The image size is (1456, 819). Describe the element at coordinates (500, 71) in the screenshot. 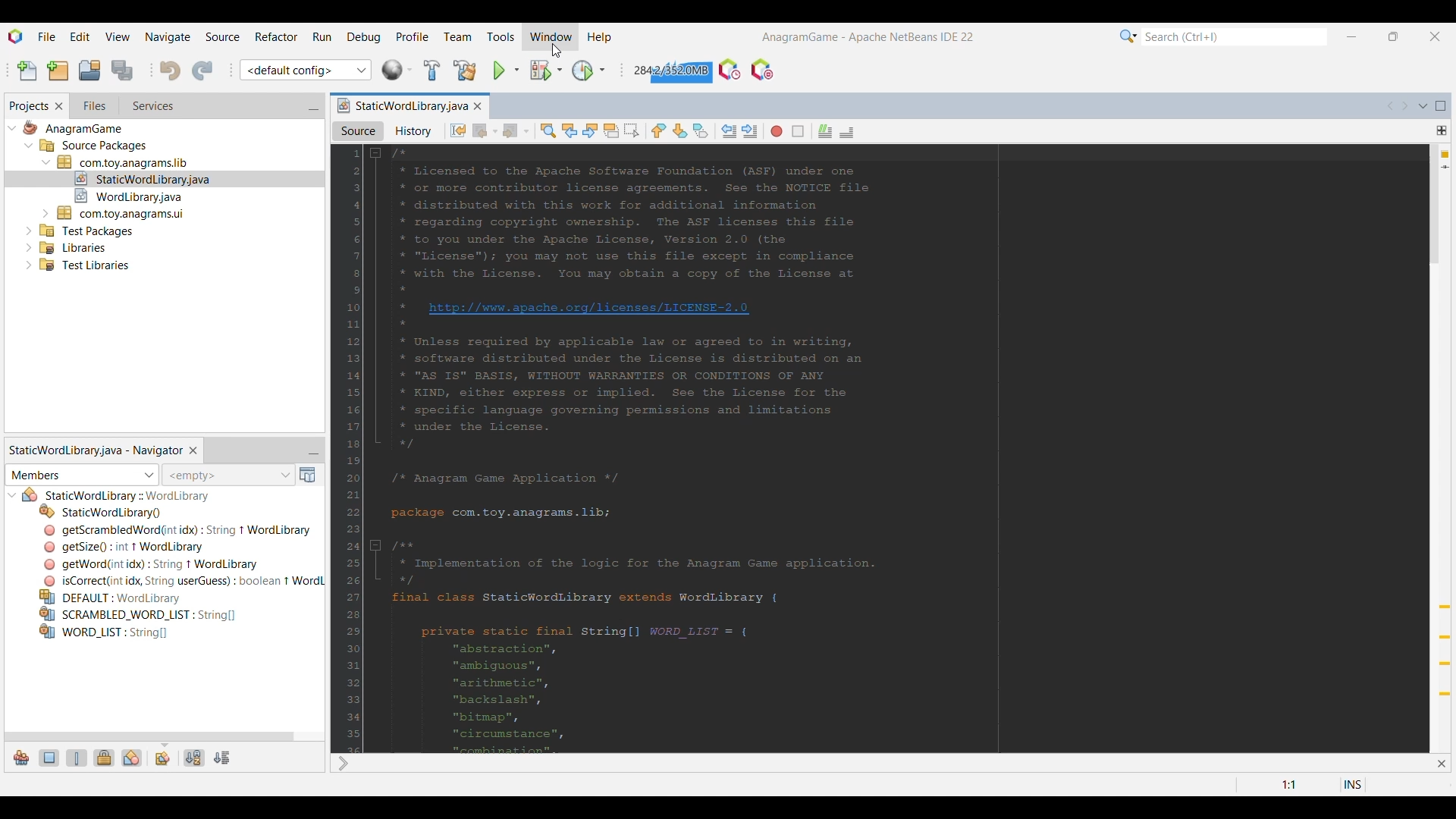

I see `Run project selection` at that location.